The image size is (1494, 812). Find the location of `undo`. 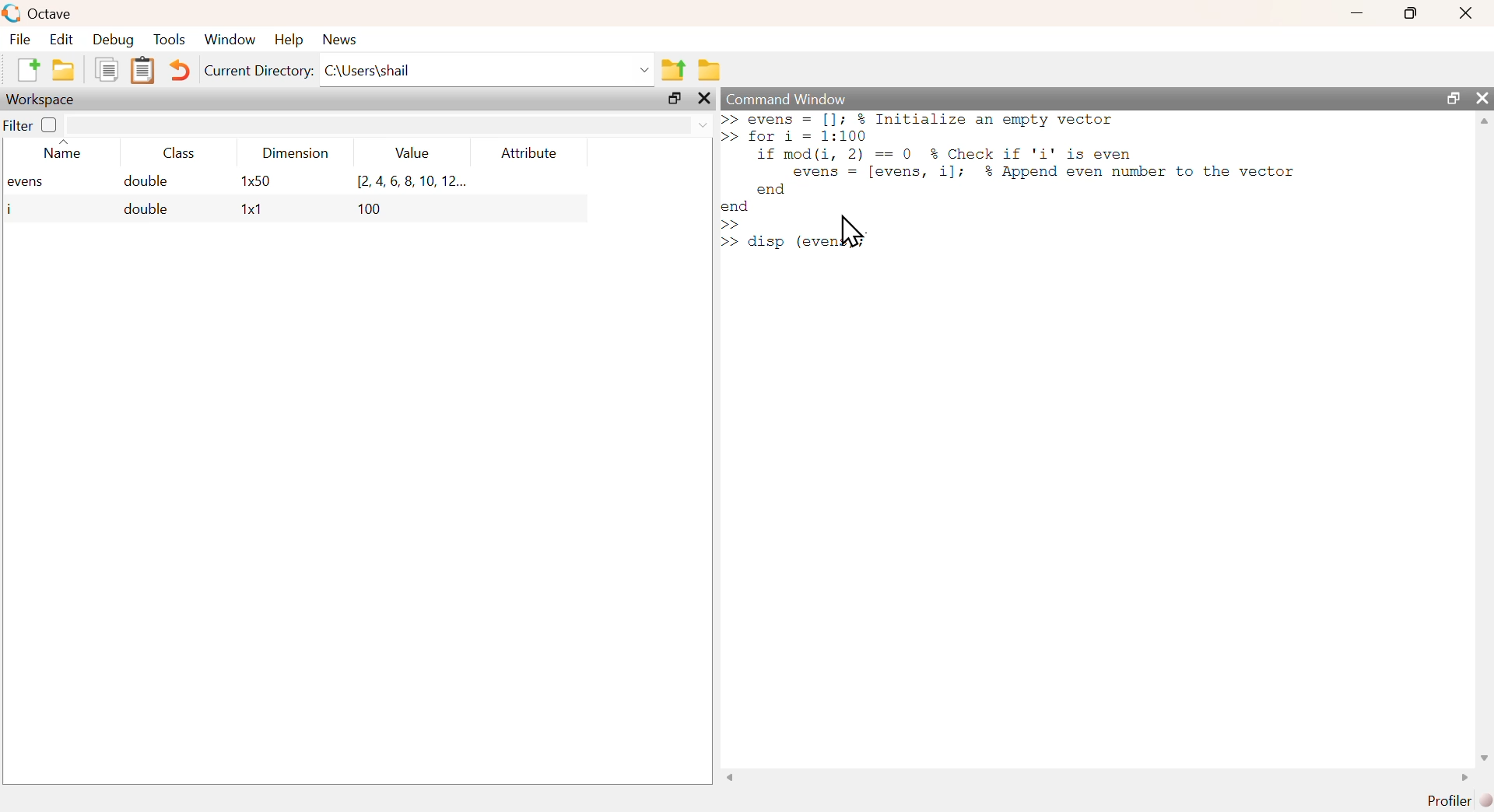

undo is located at coordinates (181, 73).